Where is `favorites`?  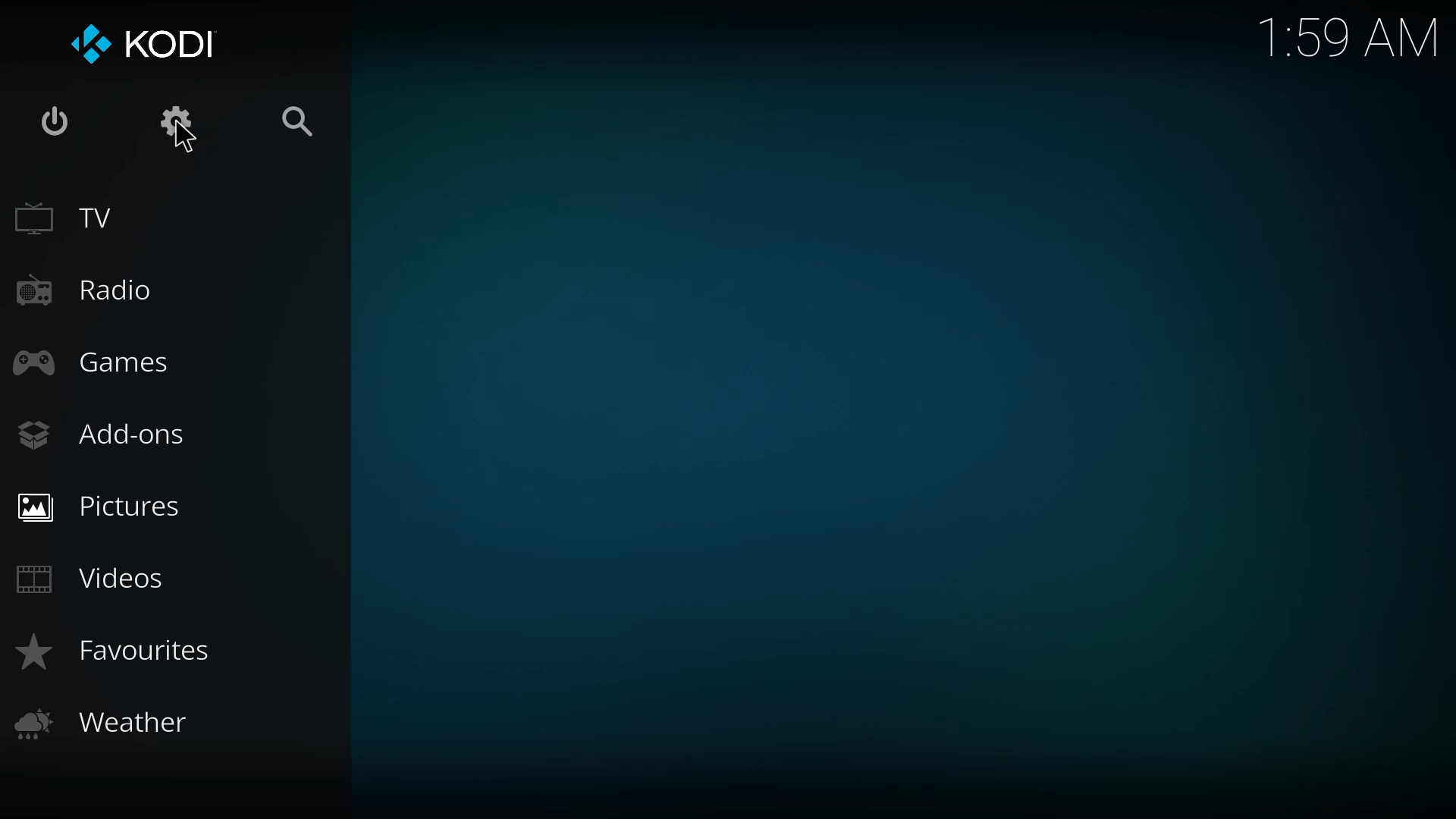 favorites is located at coordinates (118, 649).